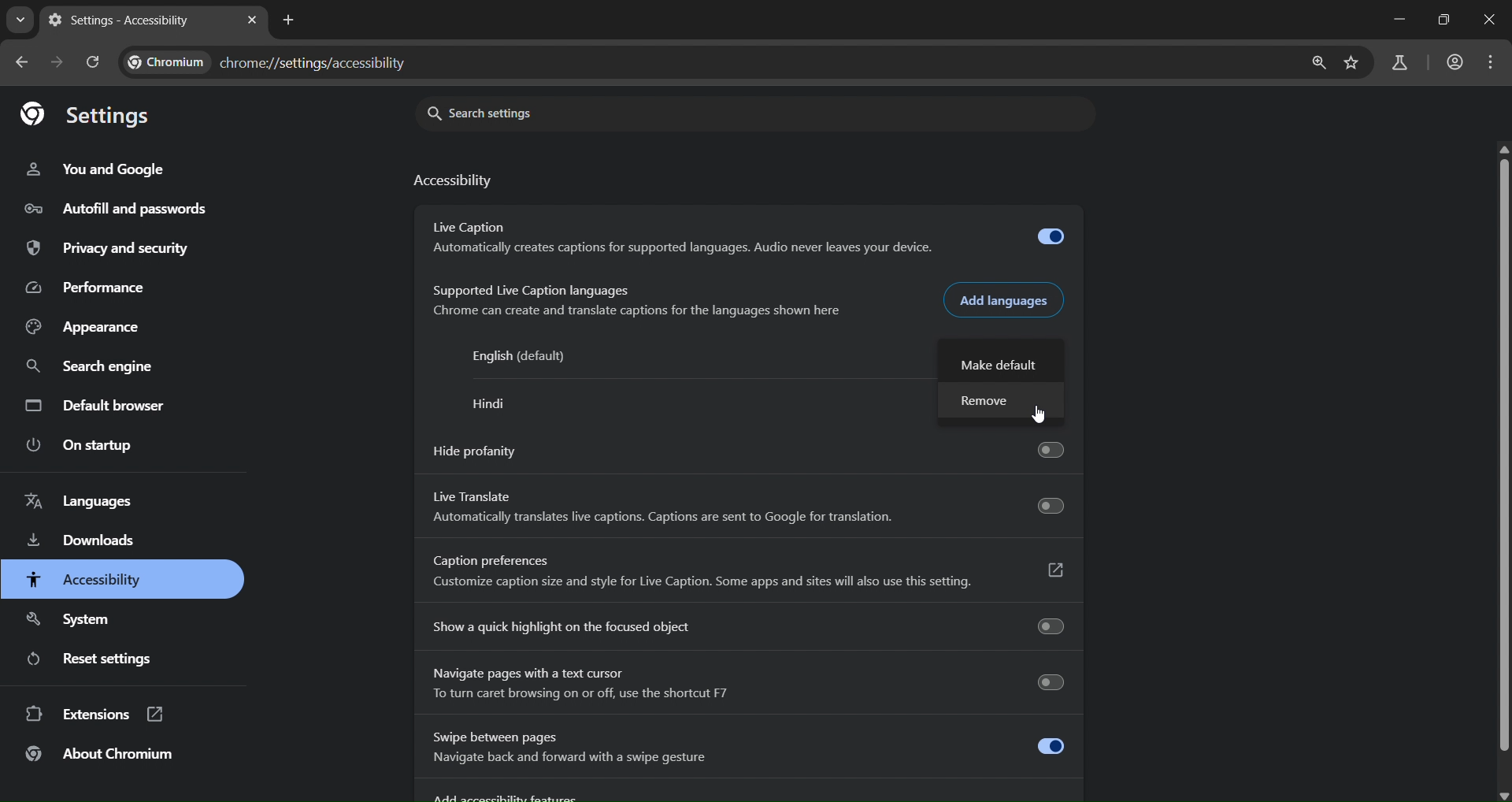  Describe the element at coordinates (748, 574) in the screenshot. I see `Caption preferences
Customize caption size and style for Live Caption. Some apps and sites will also use this setting.` at that location.